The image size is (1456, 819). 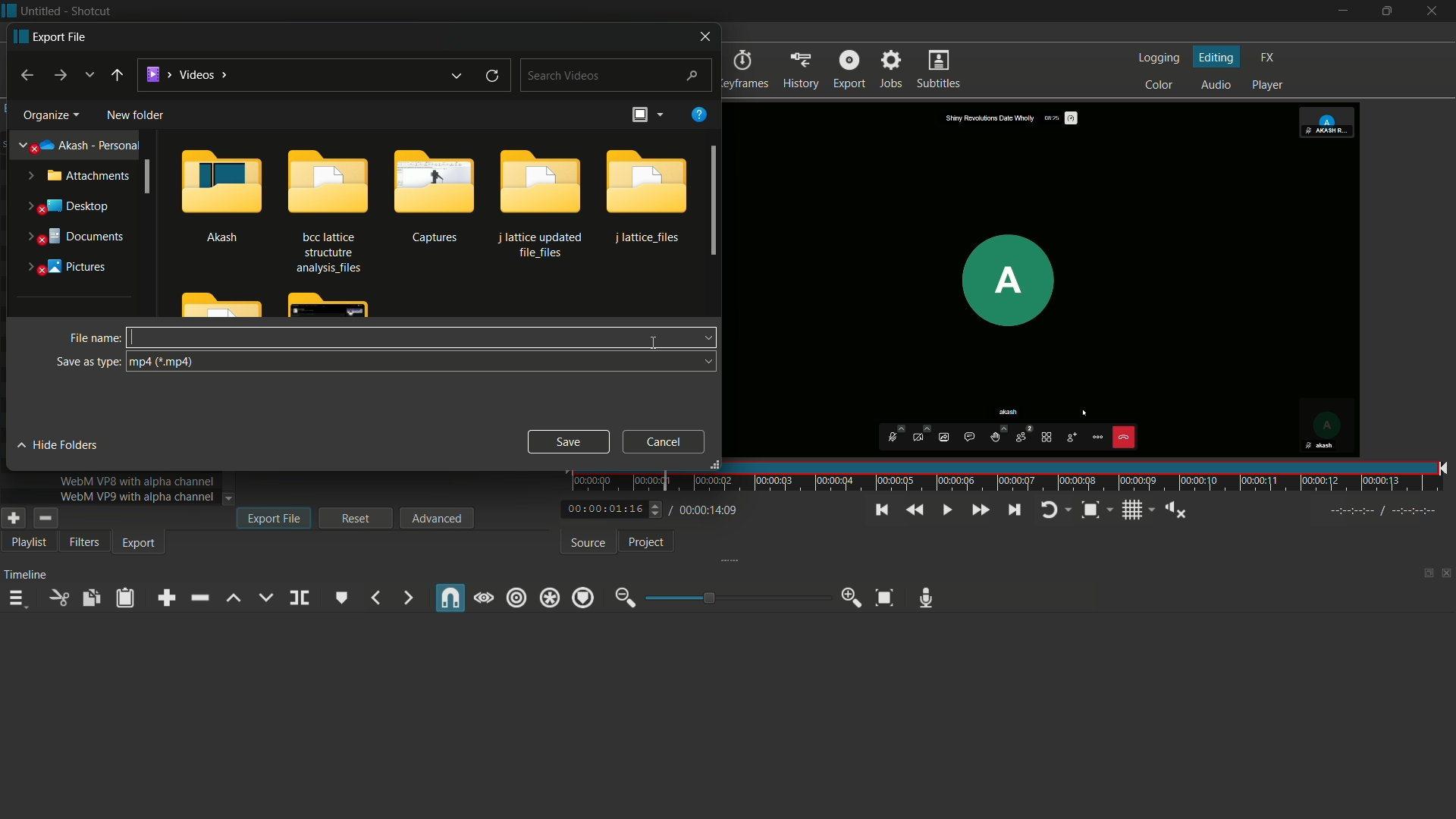 I want to click on project, so click(x=645, y=542).